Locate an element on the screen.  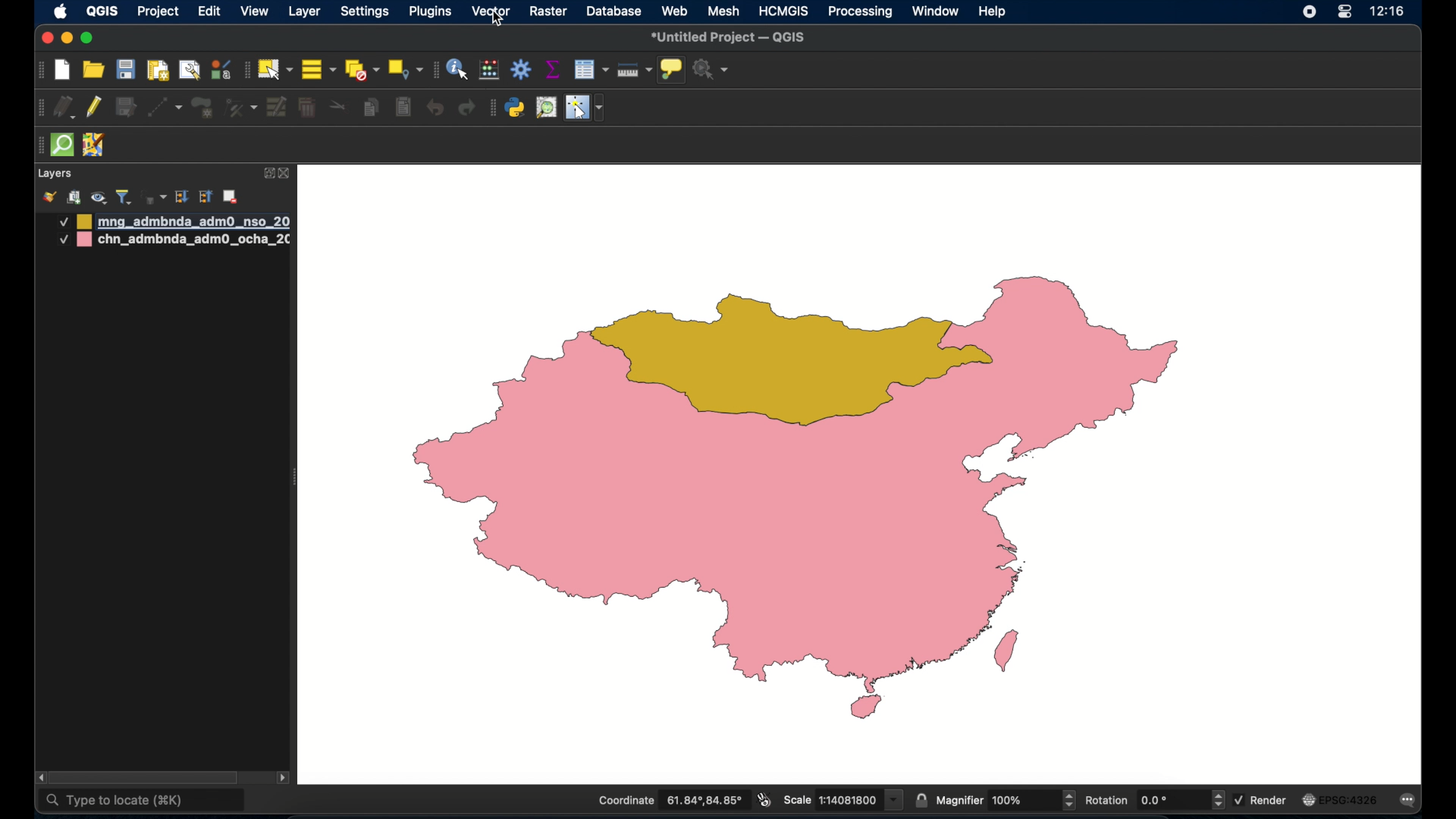
python console is located at coordinates (516, 108).